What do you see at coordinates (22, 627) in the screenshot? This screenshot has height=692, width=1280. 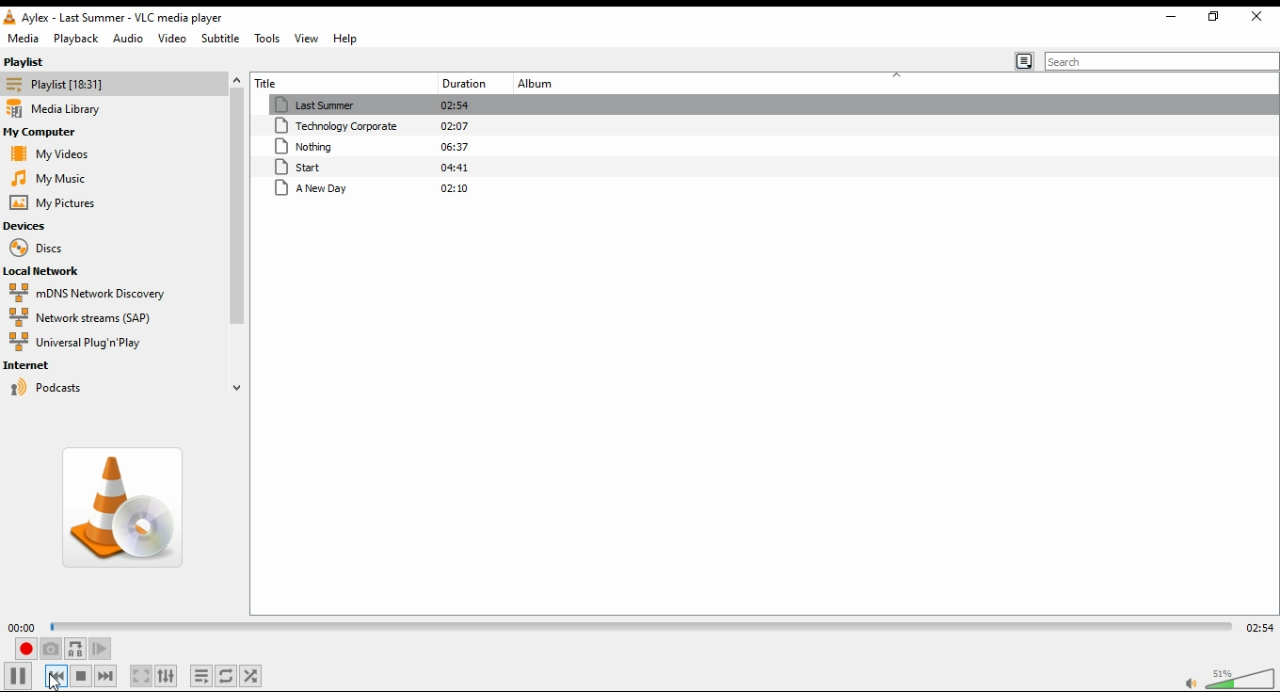 I see `00:00` at bounding box center [22, 627].